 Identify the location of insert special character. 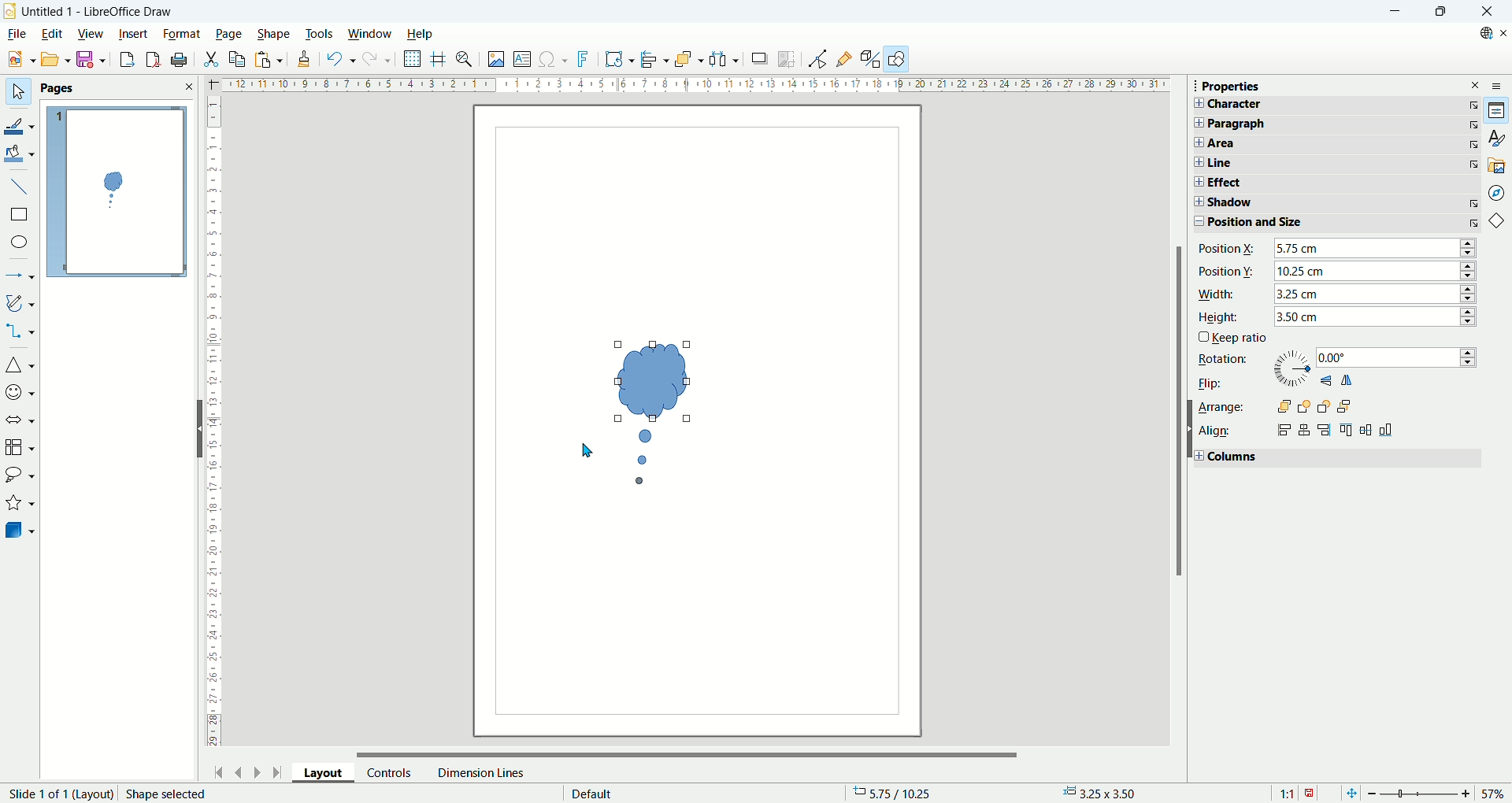
(555, 58).